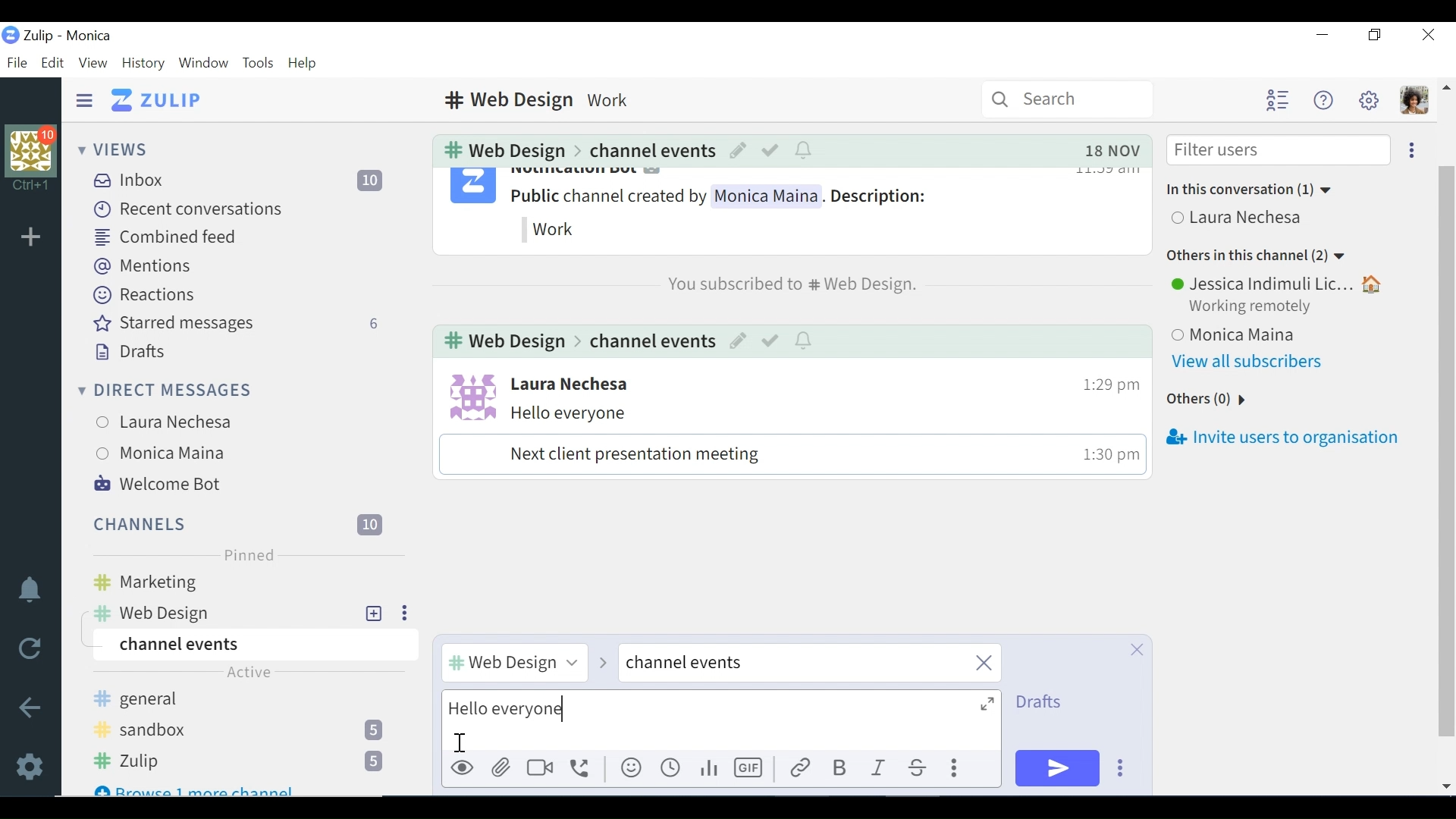 The width and height of the screenshot is (1456, 819). What do you see at coordinates (1103, 380) in the screenshot?
I see `time` at bounding box center [1103, 380].